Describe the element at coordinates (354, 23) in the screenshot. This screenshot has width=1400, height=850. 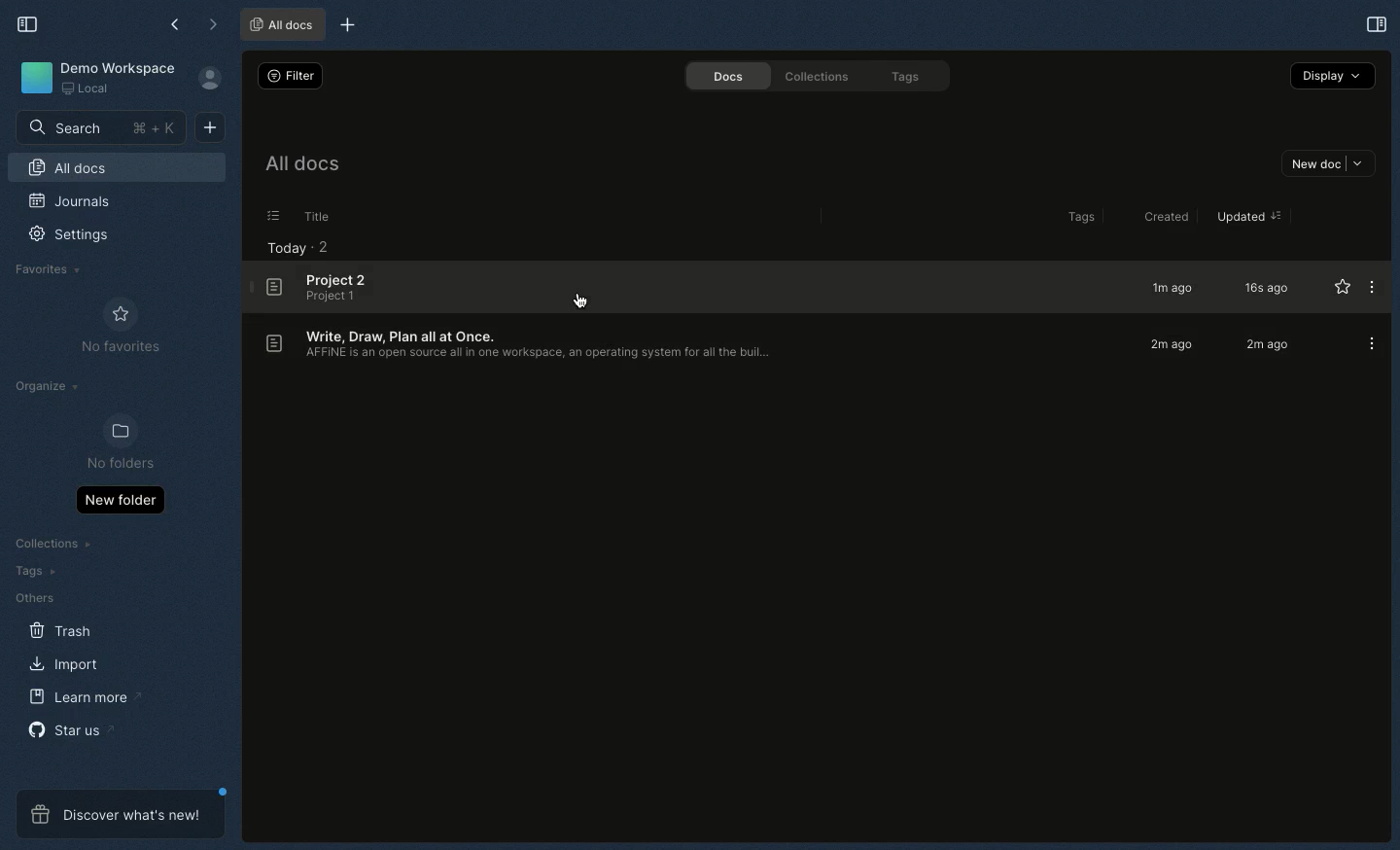
I see `New tab` at that location.